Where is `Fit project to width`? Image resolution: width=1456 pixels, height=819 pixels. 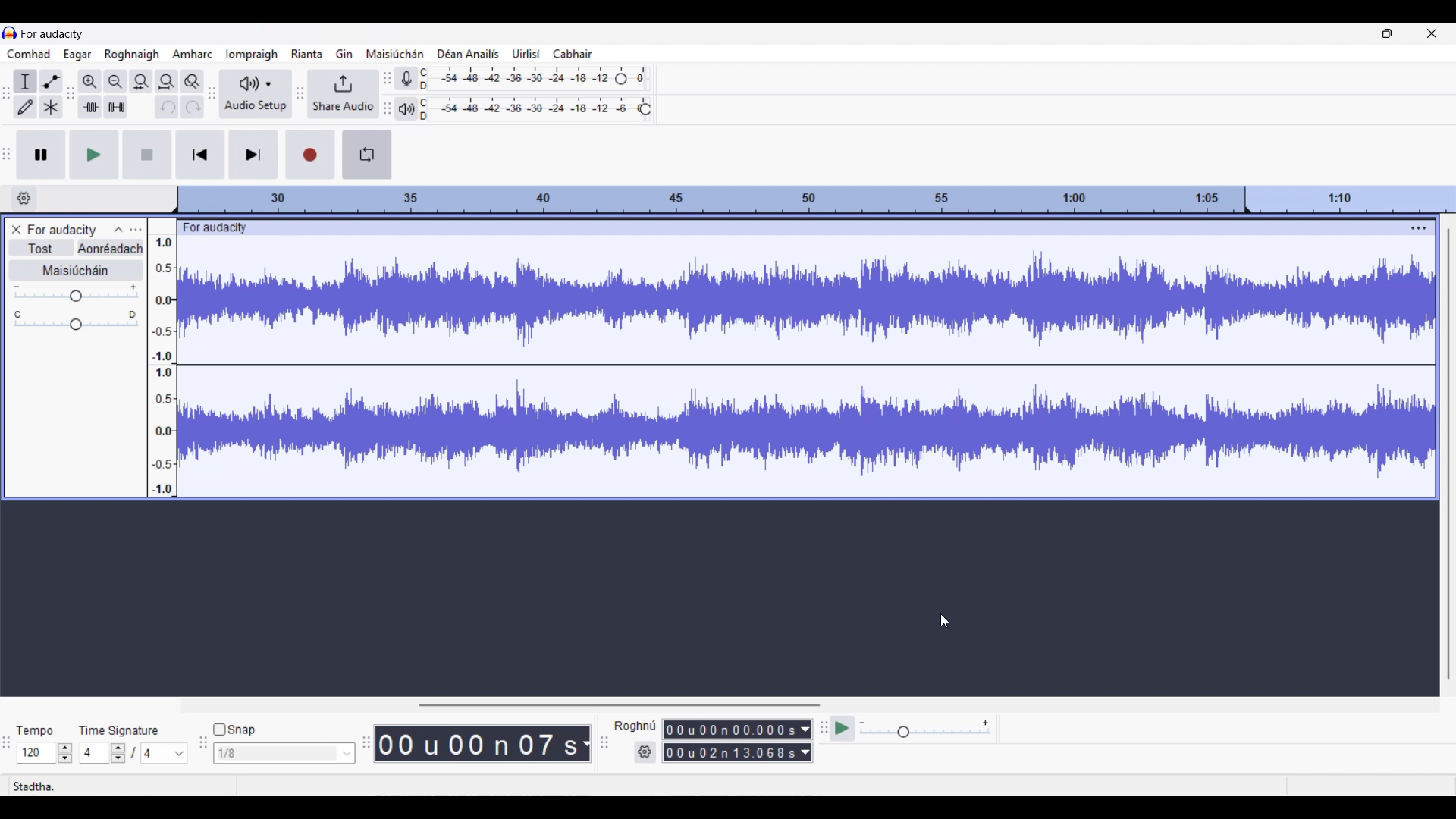 Fit project to width is located at coordinates (167, 82).